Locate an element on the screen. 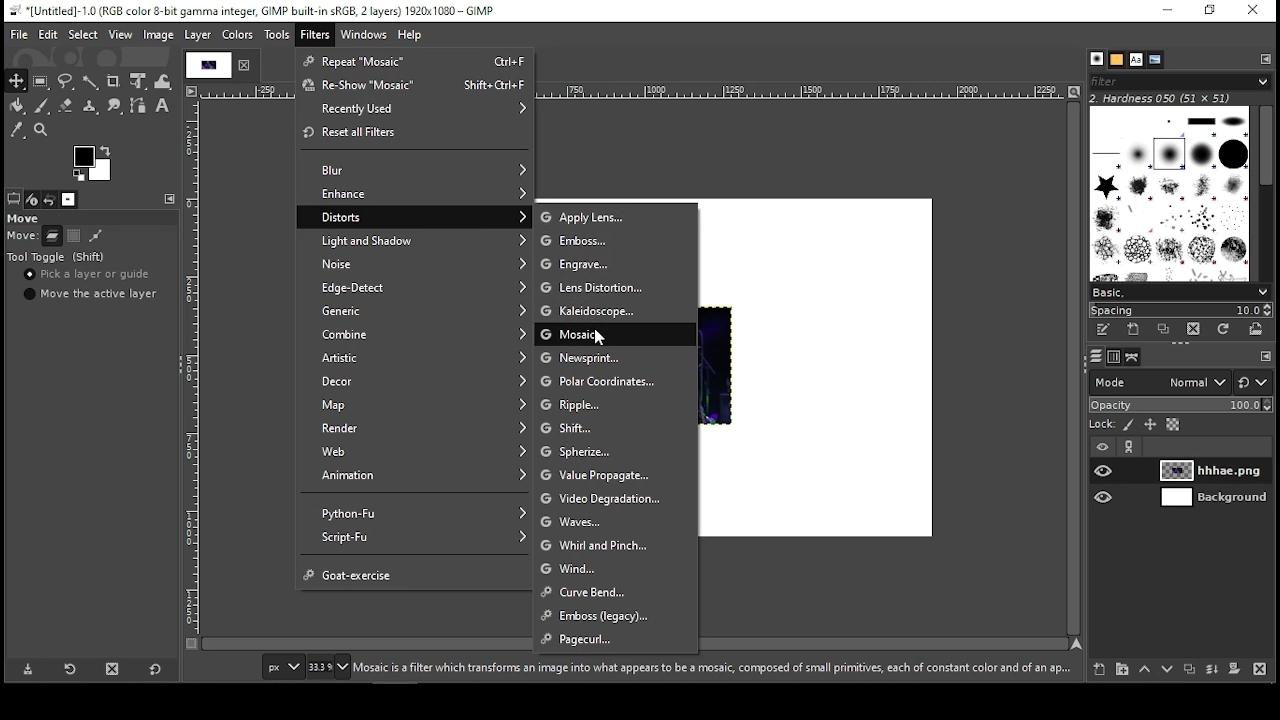  windows is located at coordinates (362, 35).